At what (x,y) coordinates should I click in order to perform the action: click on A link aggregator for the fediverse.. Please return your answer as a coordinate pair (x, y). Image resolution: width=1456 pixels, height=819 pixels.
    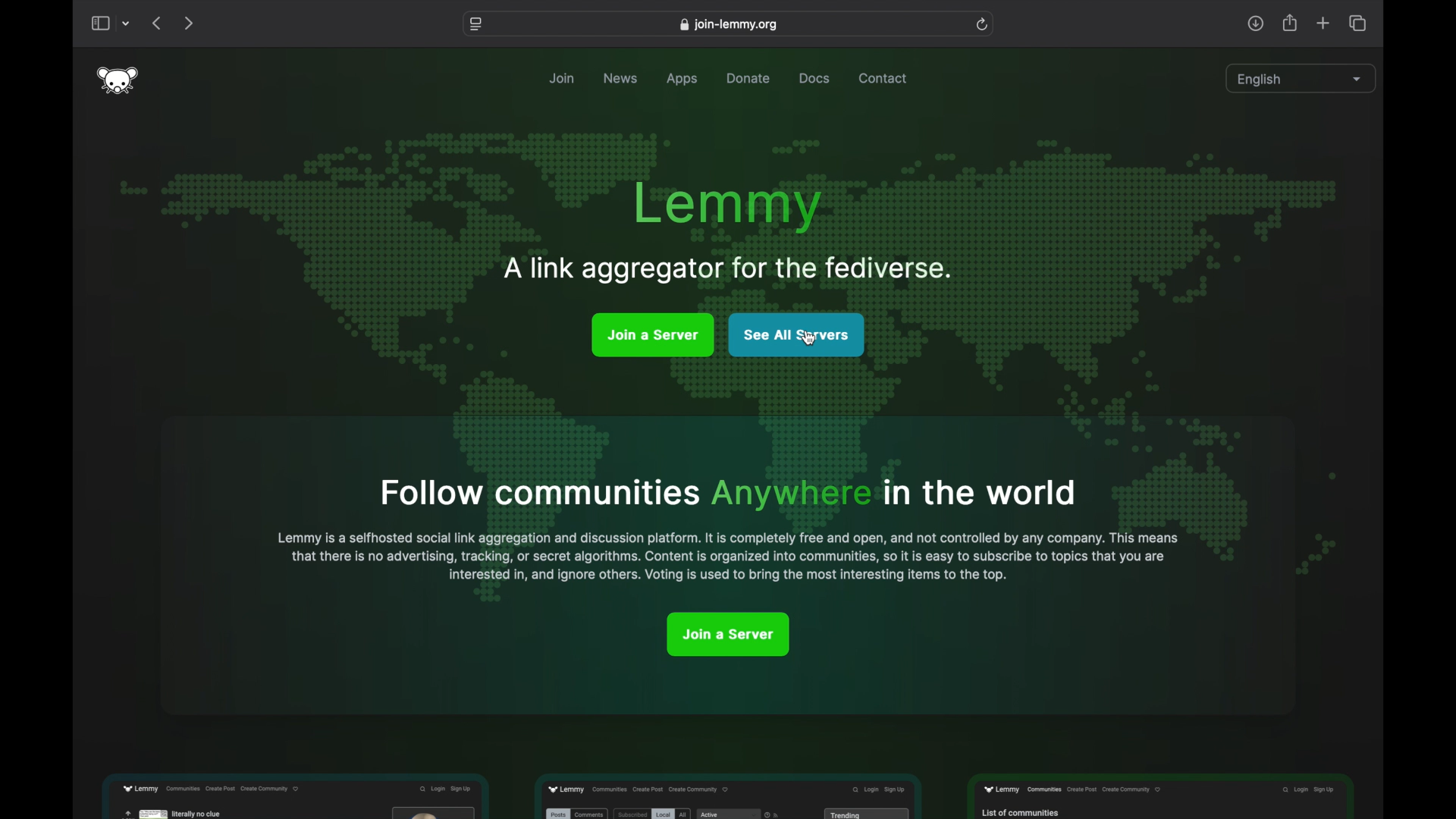
    Looking at the image, I should click on (729, 270).